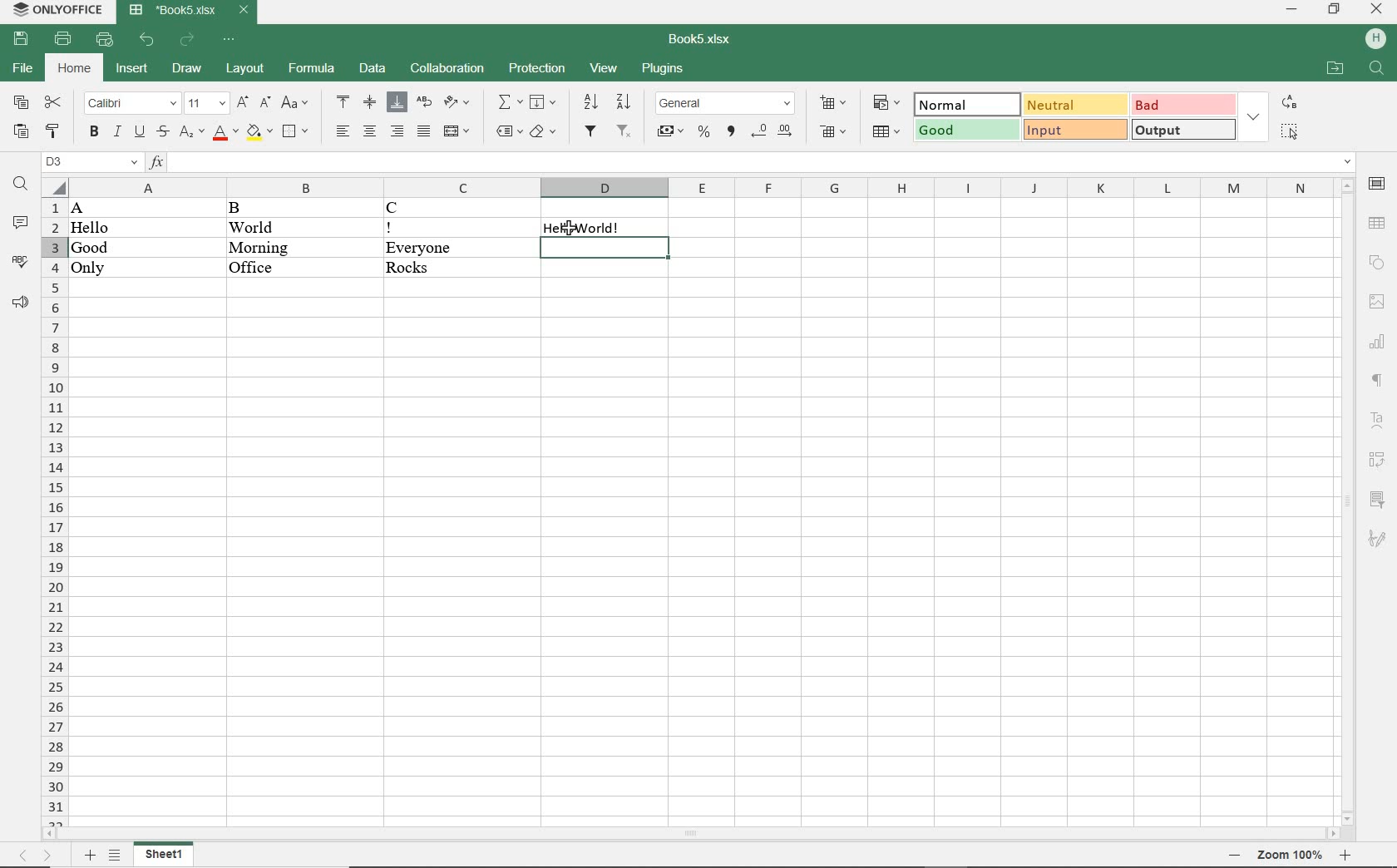 The width and height of the screenshot is (1397, 868). Describe the element at coordinates (964, 129) in the screenshot. I see `GOOD` at that location.